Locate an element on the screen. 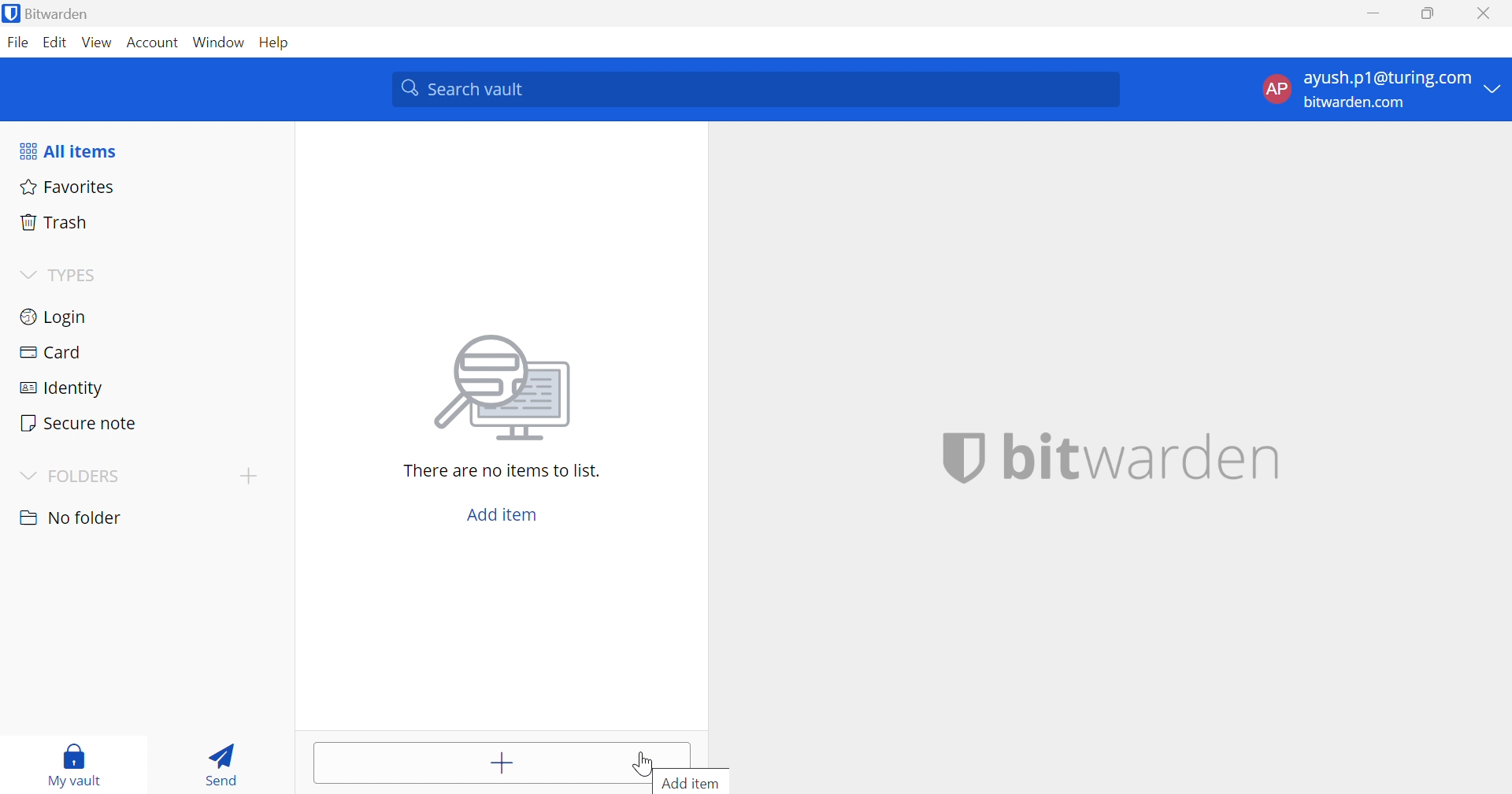  Identity is located at coordinates (56, 390).